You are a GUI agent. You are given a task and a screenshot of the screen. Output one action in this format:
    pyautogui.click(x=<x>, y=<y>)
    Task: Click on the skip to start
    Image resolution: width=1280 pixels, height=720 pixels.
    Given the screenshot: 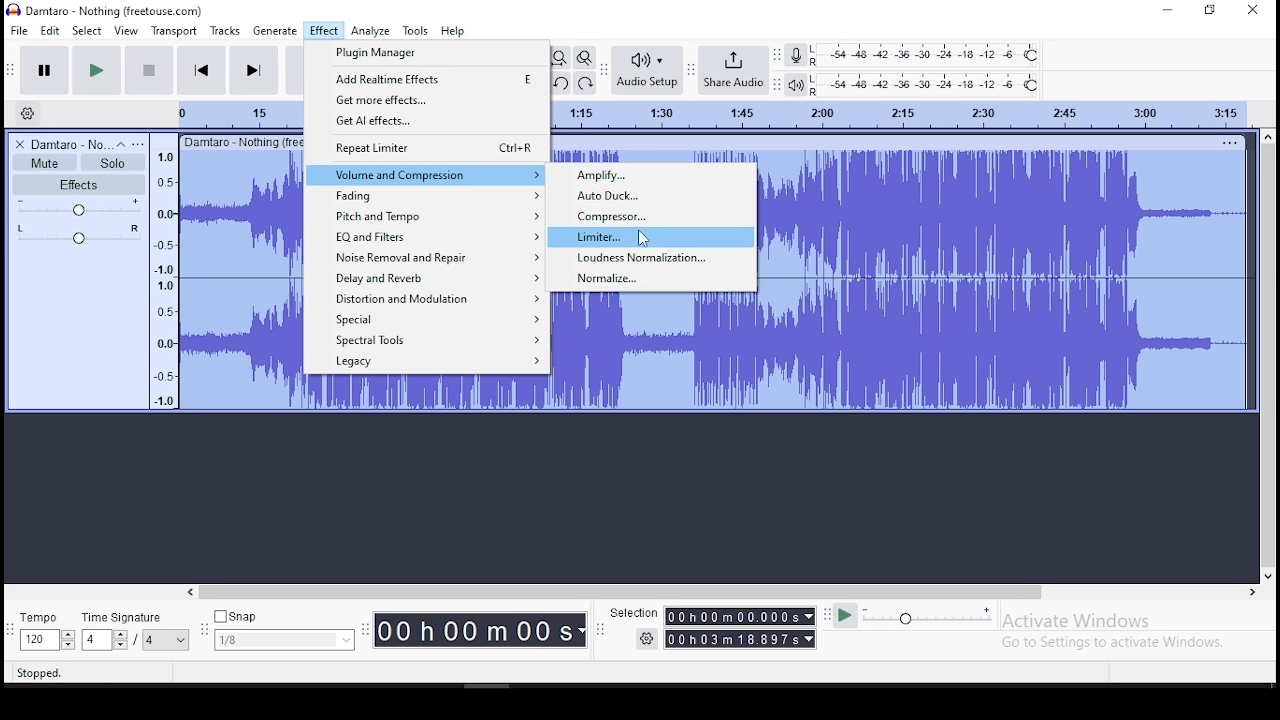 What is the action you would take?
    pyautogui.click(x=202, y=70)
    